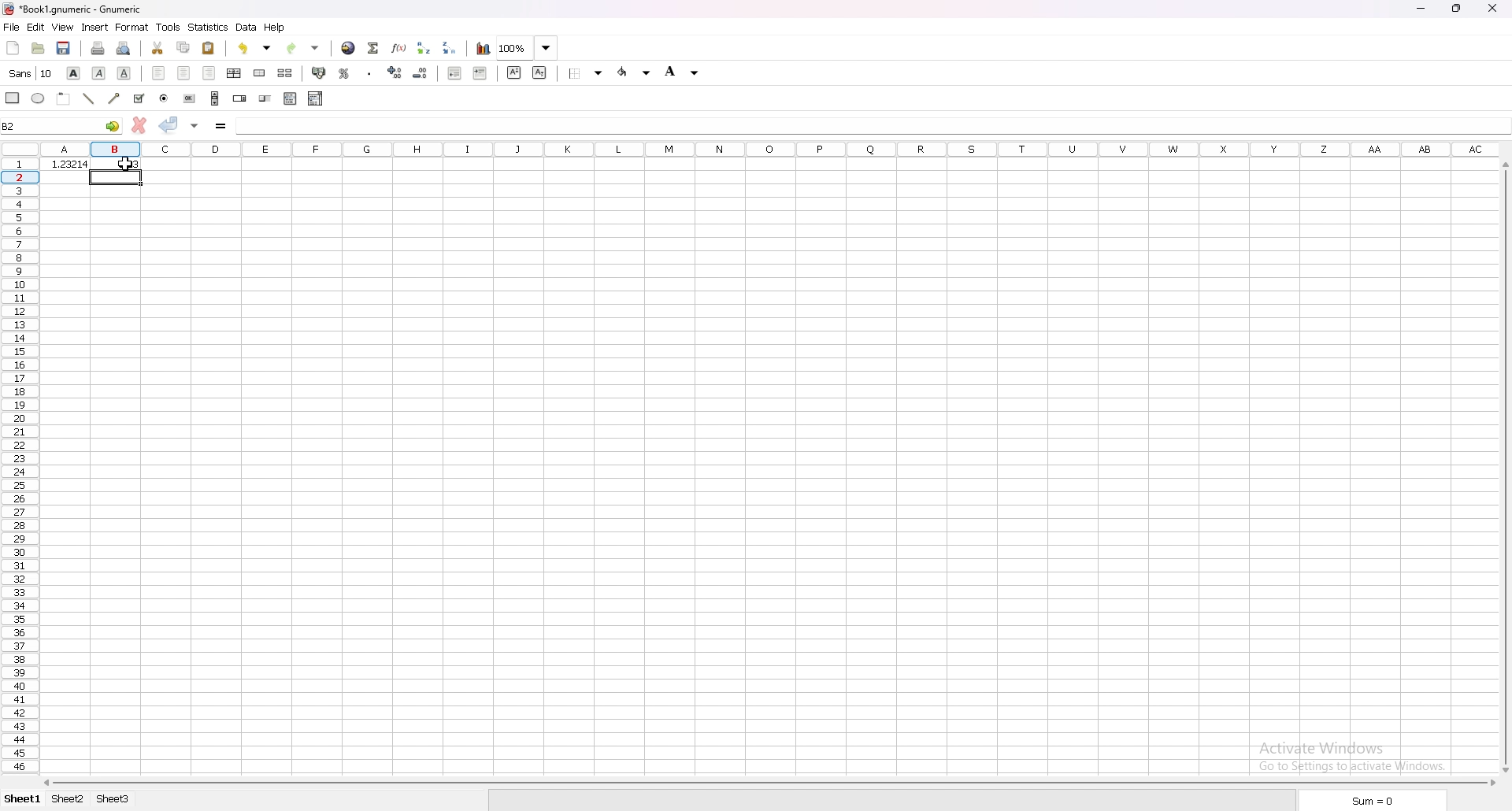 This screenshot has width=1512, height=811. I want to click on resize, so click(1458, 7).